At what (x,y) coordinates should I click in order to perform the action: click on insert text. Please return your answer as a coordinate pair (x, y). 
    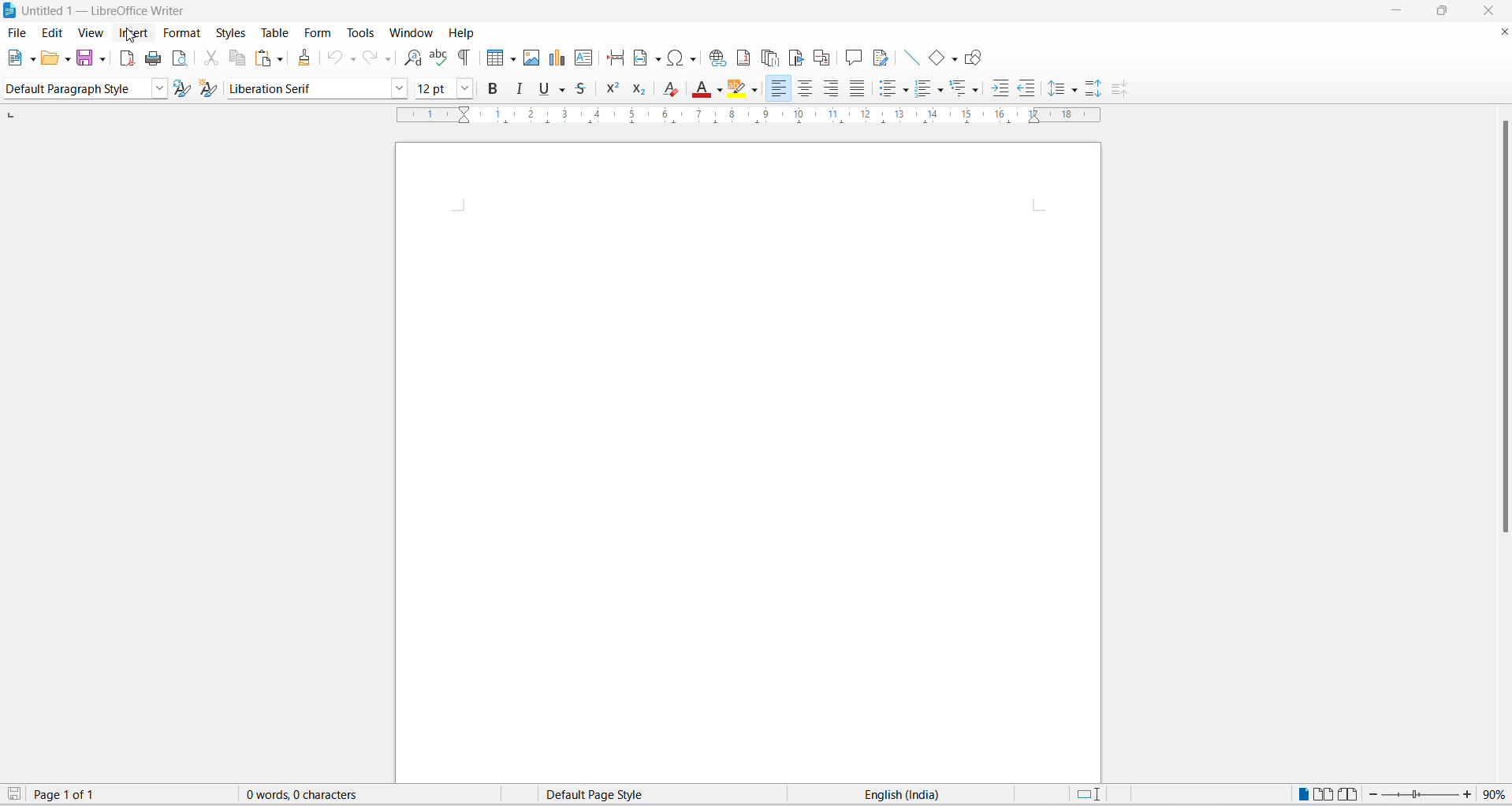
    Looking at the image, I should click on (583, 58).